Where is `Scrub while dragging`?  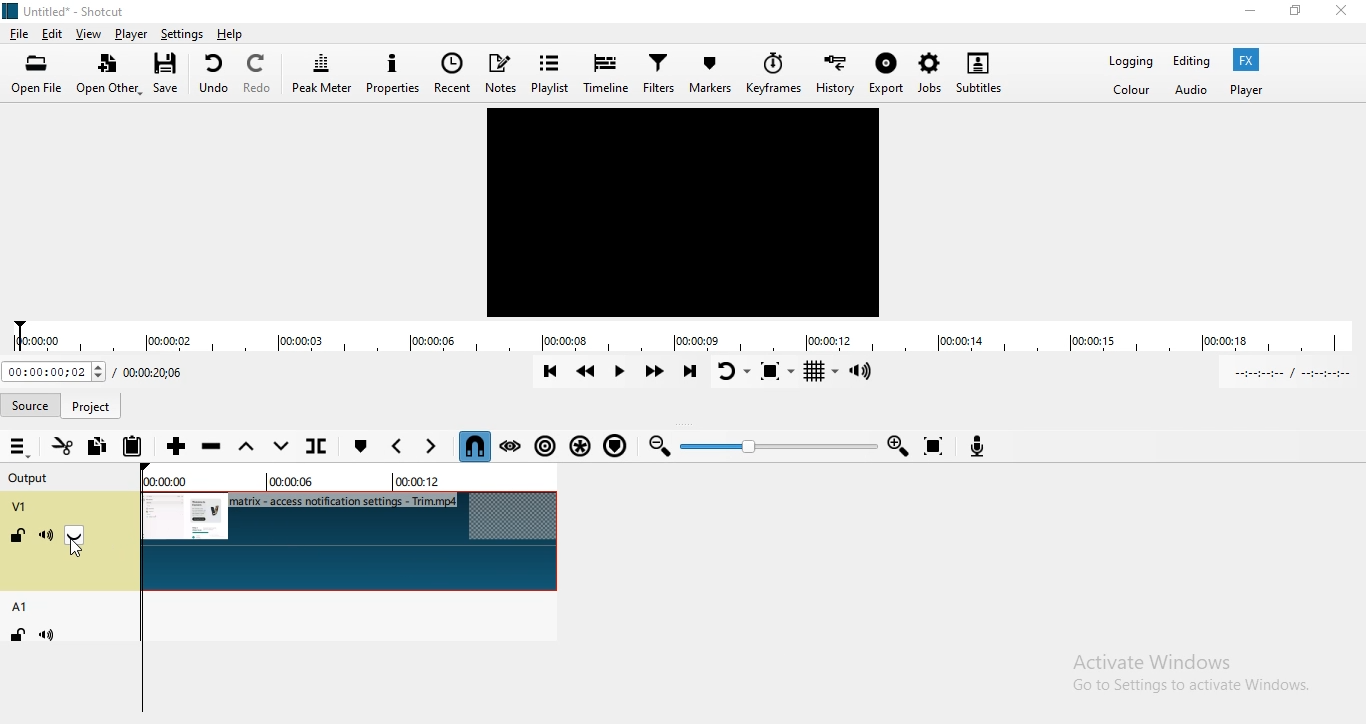
Scrub while dragging is located at coordinates (511, 446).